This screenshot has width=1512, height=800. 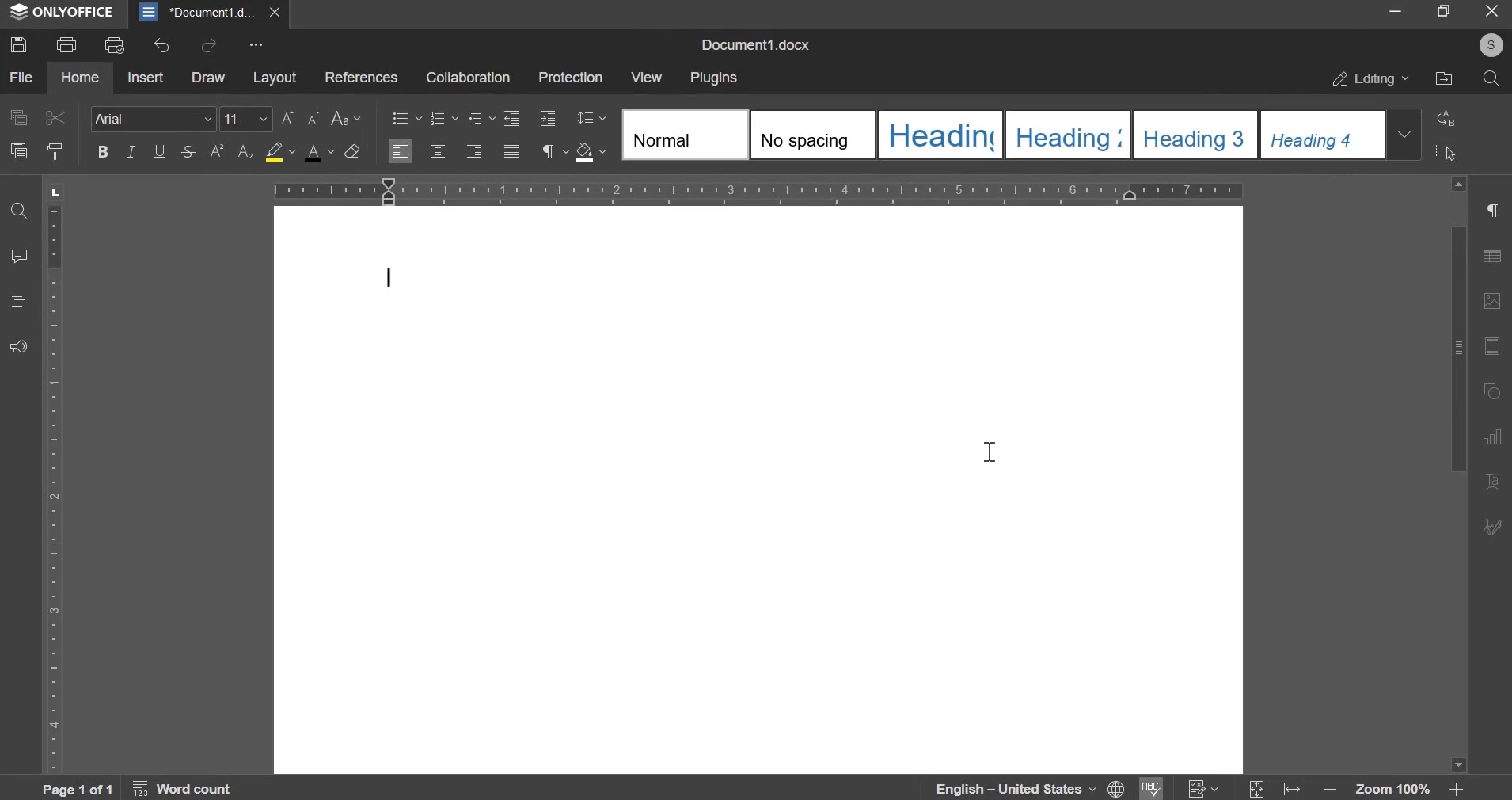 I want to click on shading, so click(x=591, y=153).